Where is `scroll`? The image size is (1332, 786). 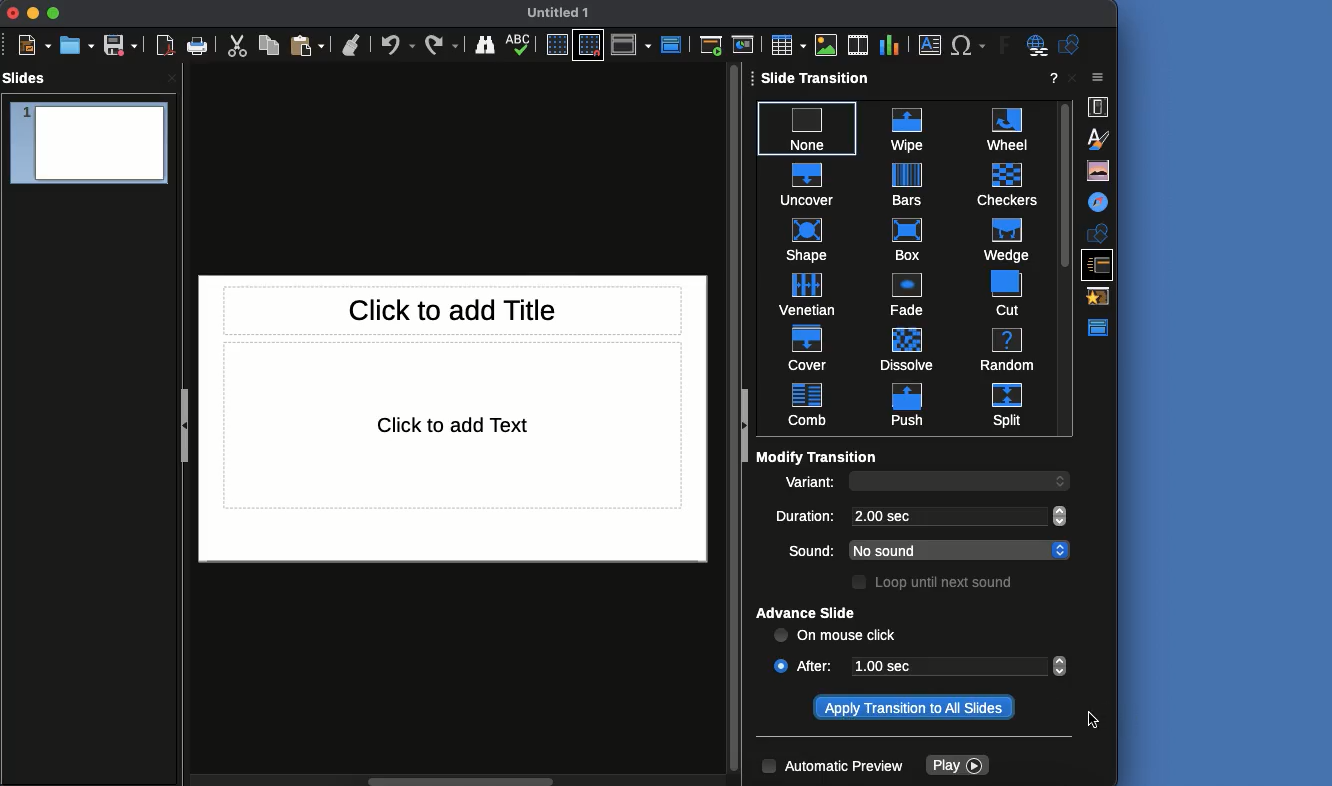
scroll is located at coordinates (458, 779).